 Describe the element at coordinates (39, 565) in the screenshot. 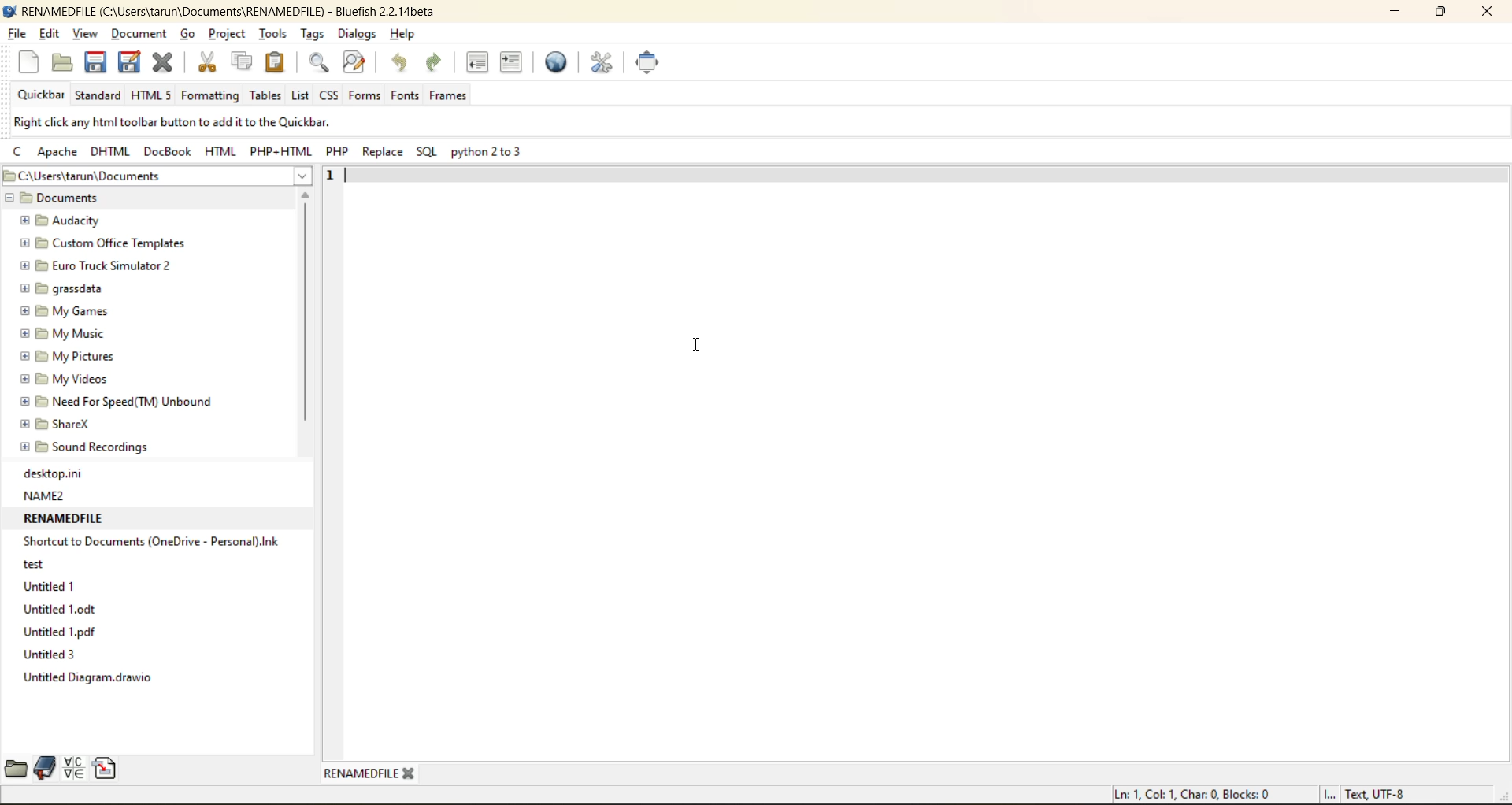

I see `test` at that location.